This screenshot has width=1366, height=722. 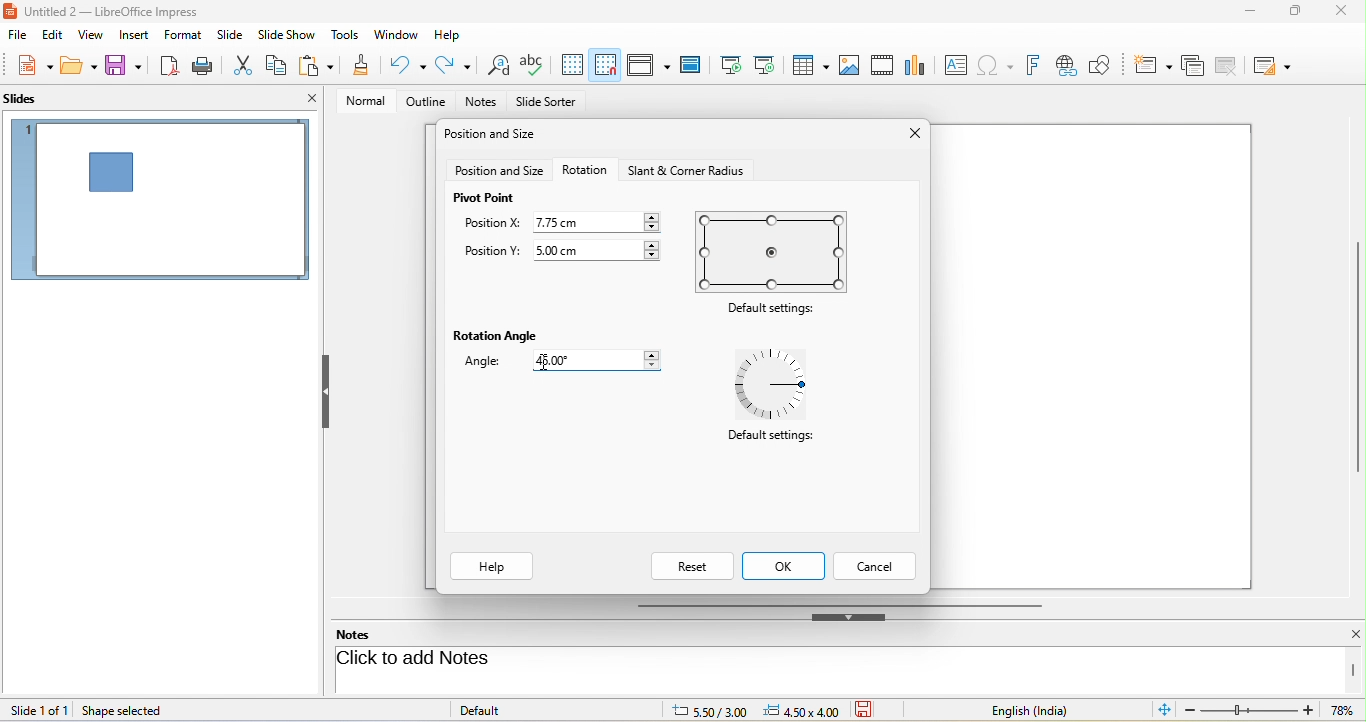 I want to click on spelling, so click(x=535, y=65).